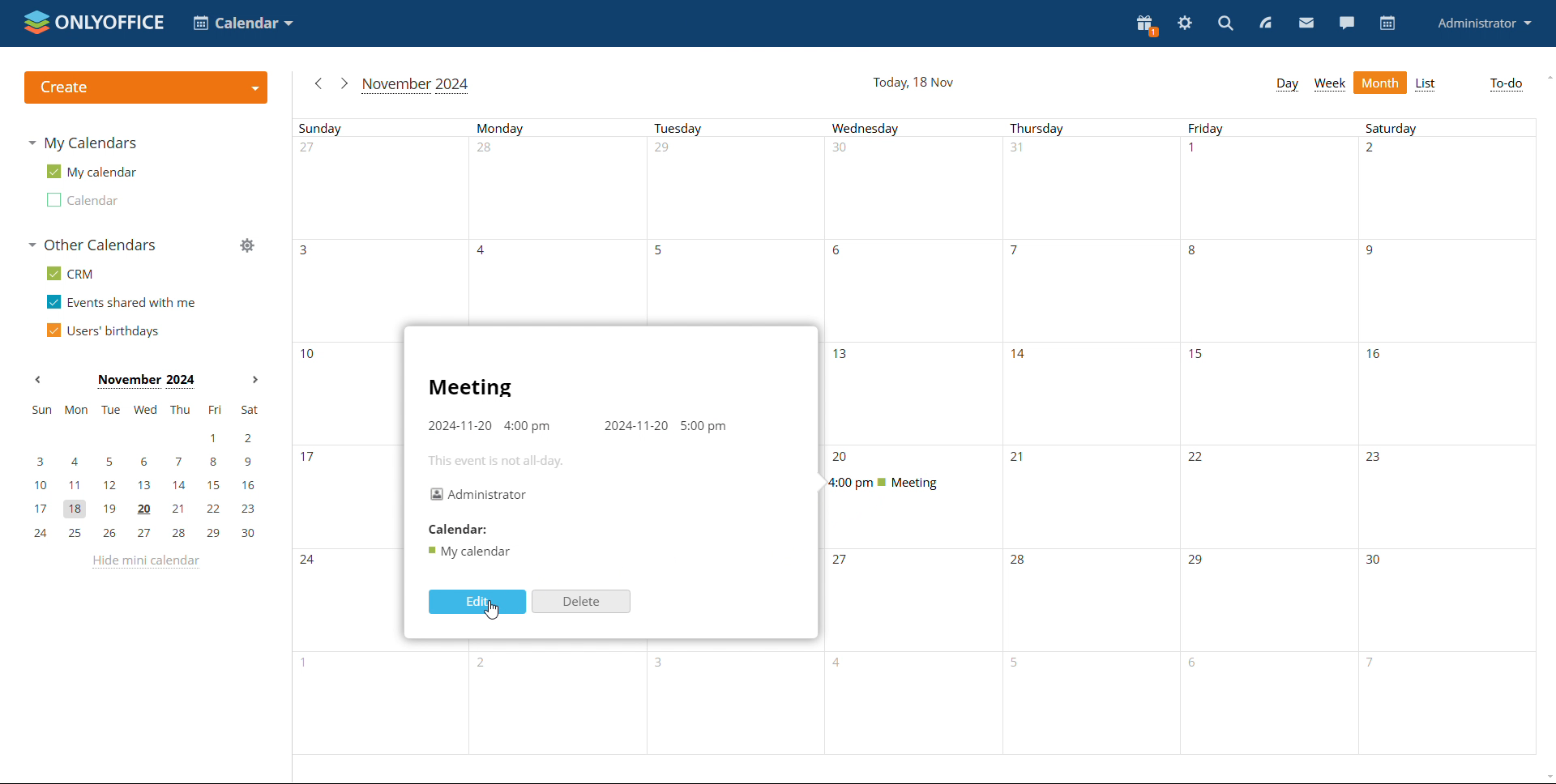  What do you see at coordinates (558, 702) in the screenshot?
I see `Monday` at bounding box center [558, 702].